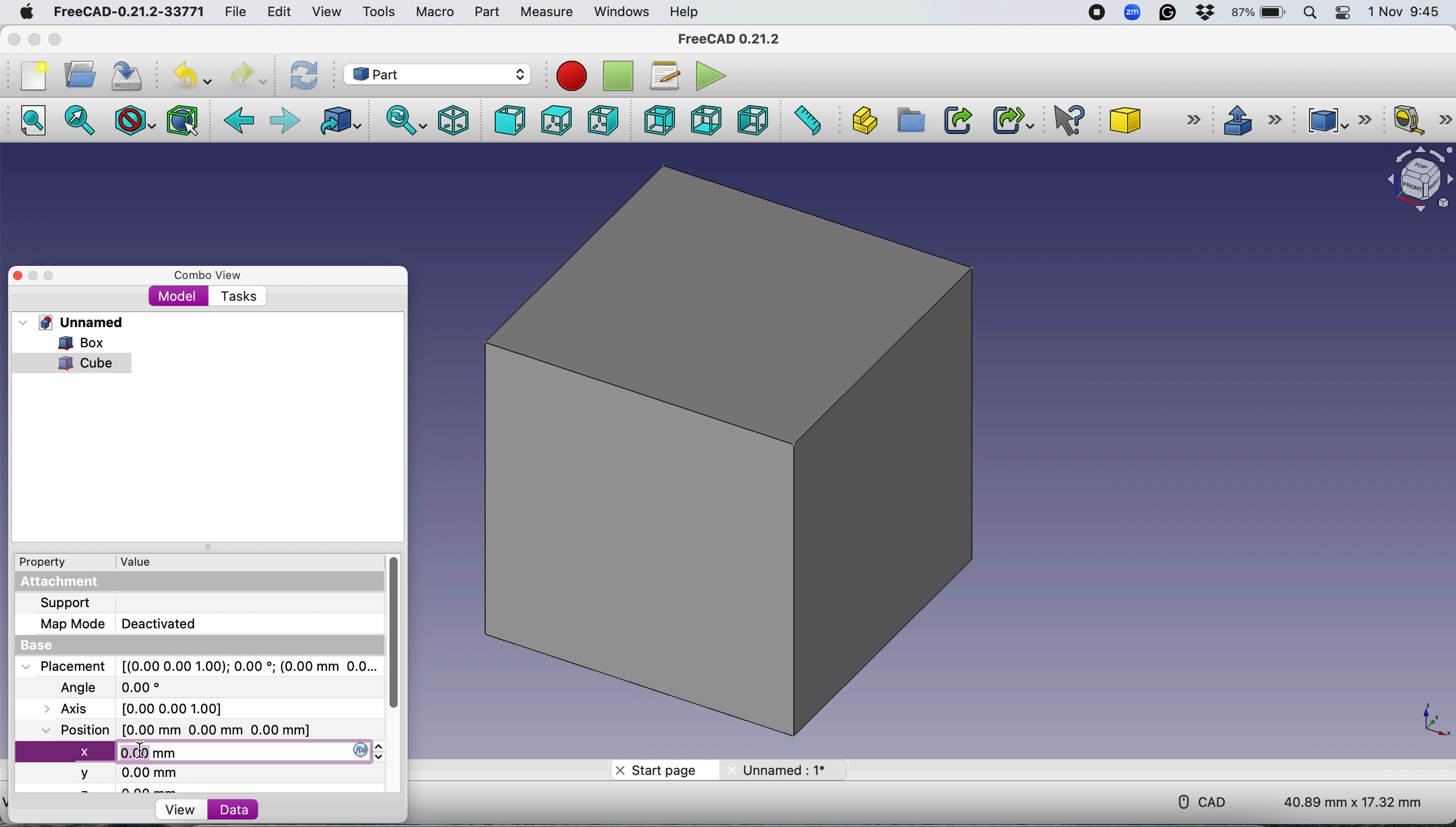 This screenshot has width=1456, height=827. What do you see at coordinates (1151, 120) in the screenshot?
I see `Cube` at bounding box center [1151, 120].